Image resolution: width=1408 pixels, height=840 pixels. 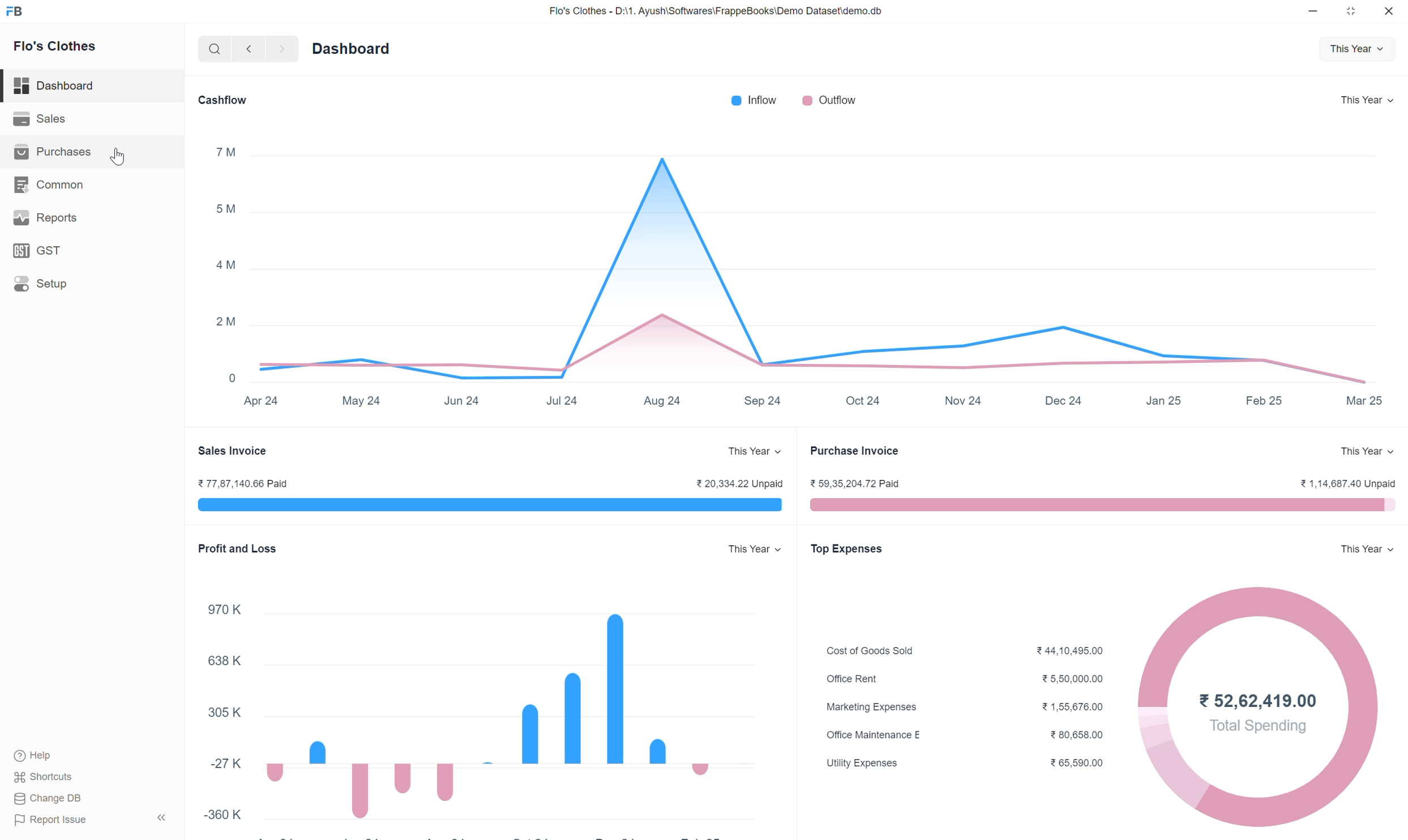 I want to click on Total spending graph, so click(x=1361, y=713).